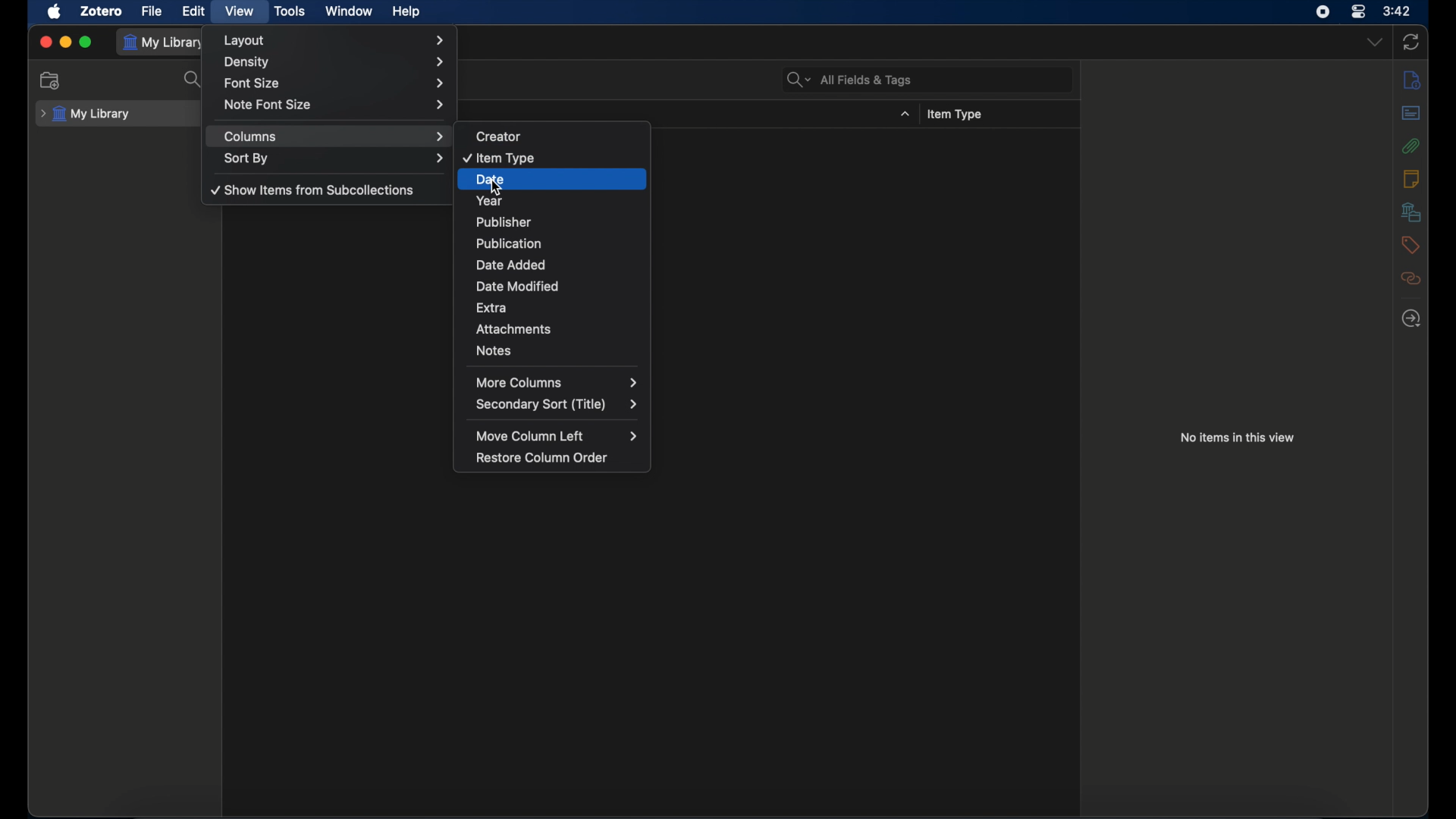  I want to click on notes, so click(1411, 179).